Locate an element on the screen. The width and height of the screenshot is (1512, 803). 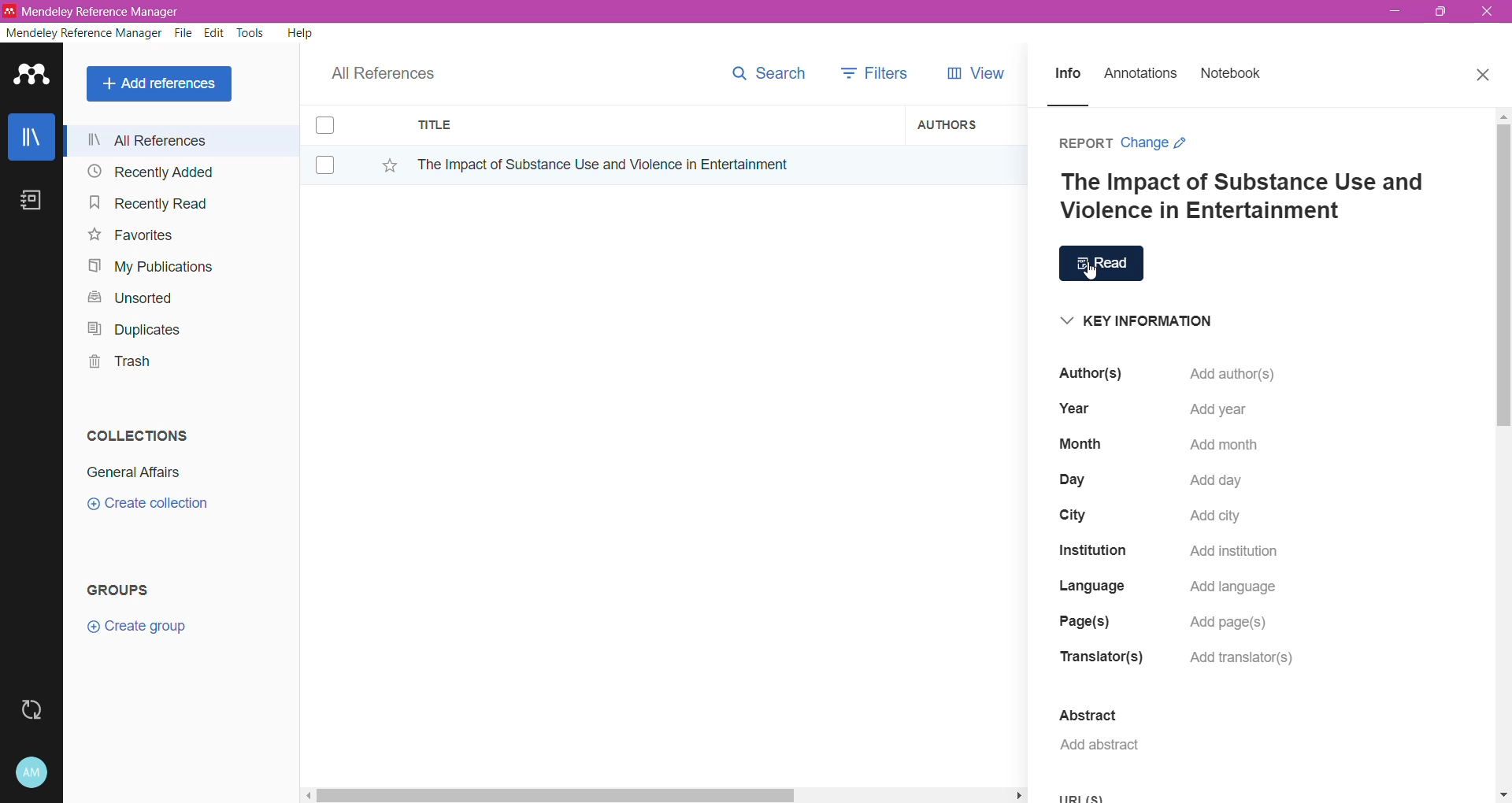
Add References is located at coordinates (159, 84).